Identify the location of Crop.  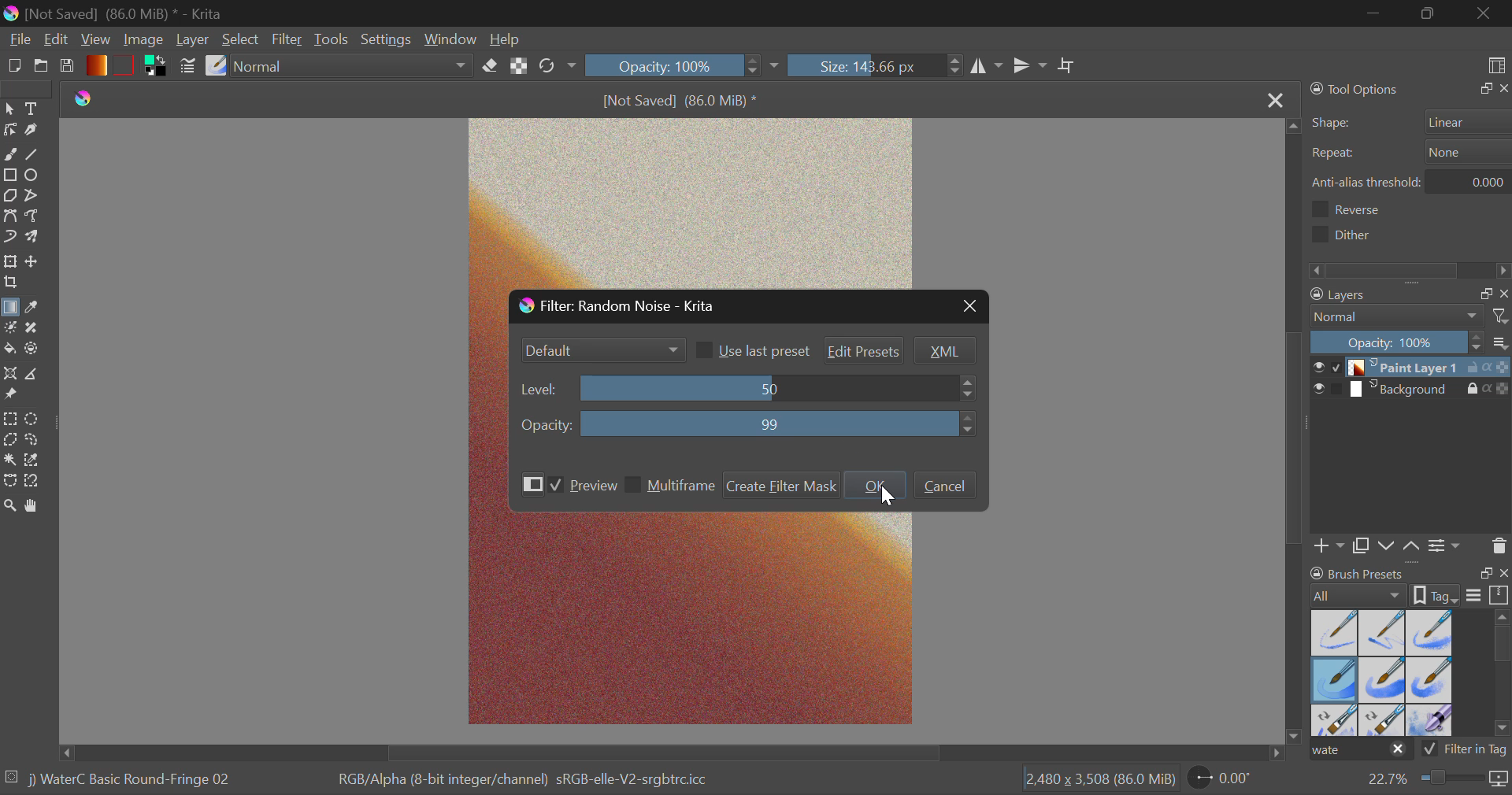
(1068, 67).